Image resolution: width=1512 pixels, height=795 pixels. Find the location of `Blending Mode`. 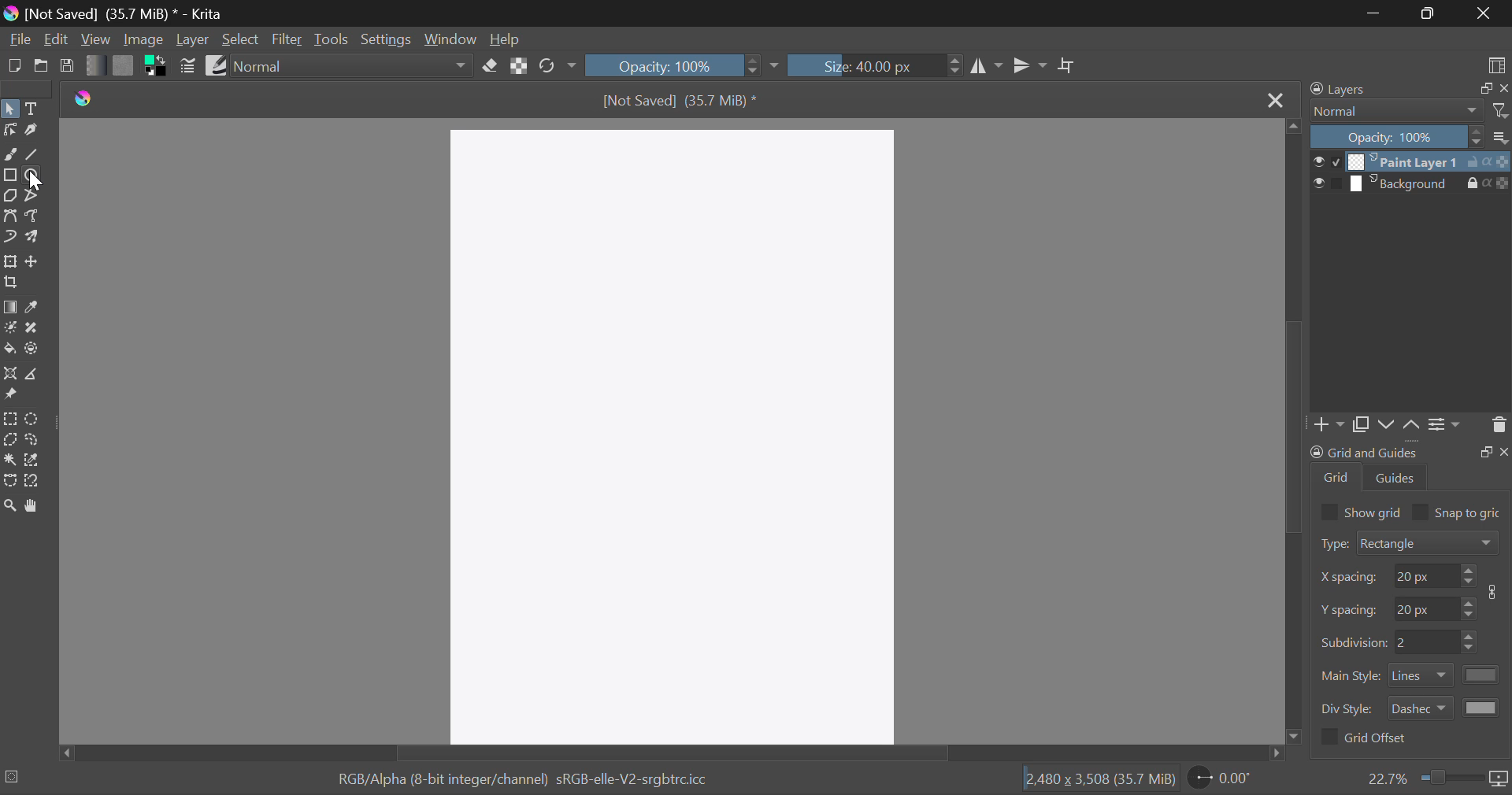

Blending Mode is located at coordinates (354, 66).